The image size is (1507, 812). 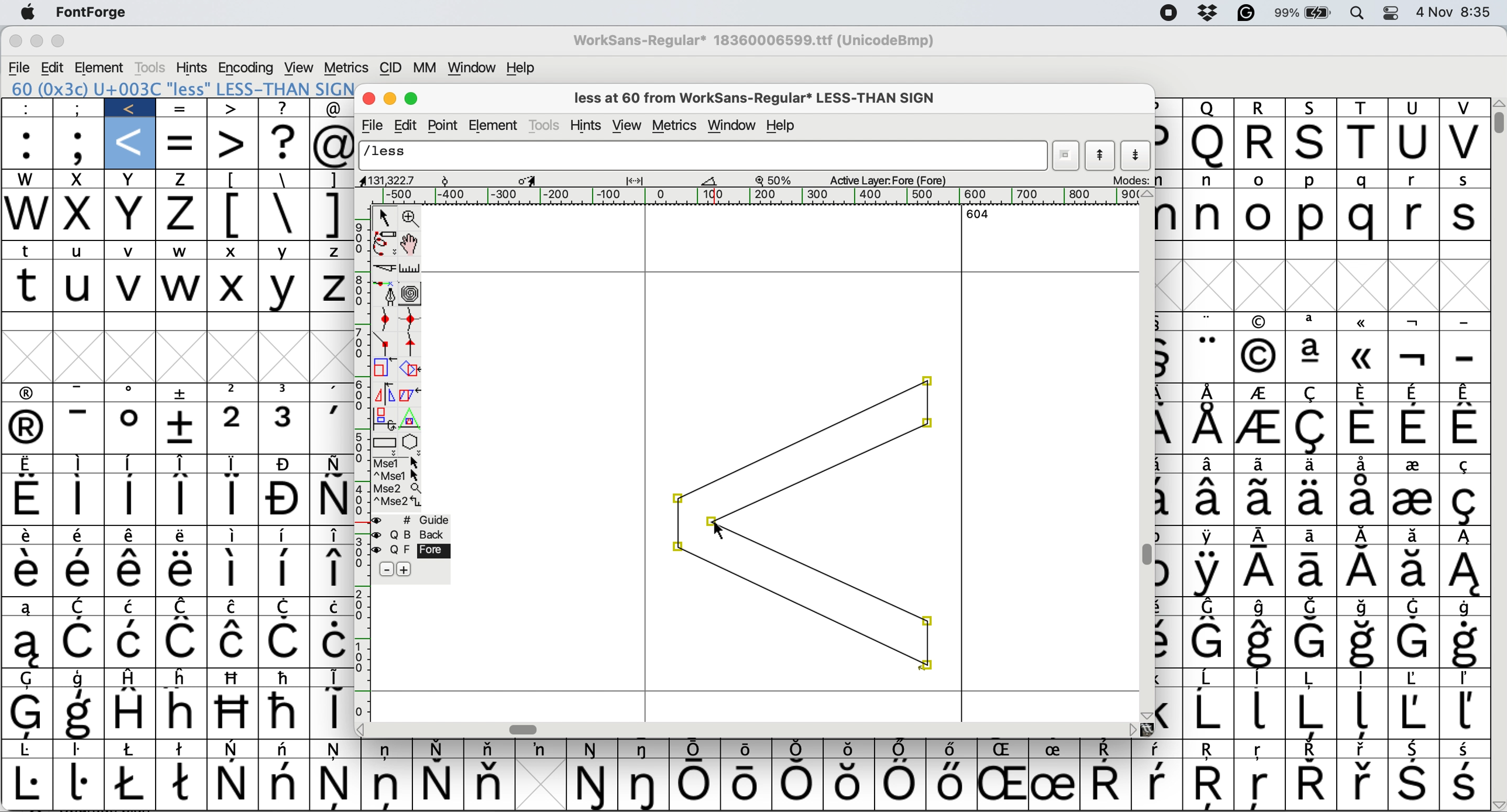 What do you see at coordinates (1312, 642) in the screenshot?
I see `Symbol` at bounding box center [1312, 642].